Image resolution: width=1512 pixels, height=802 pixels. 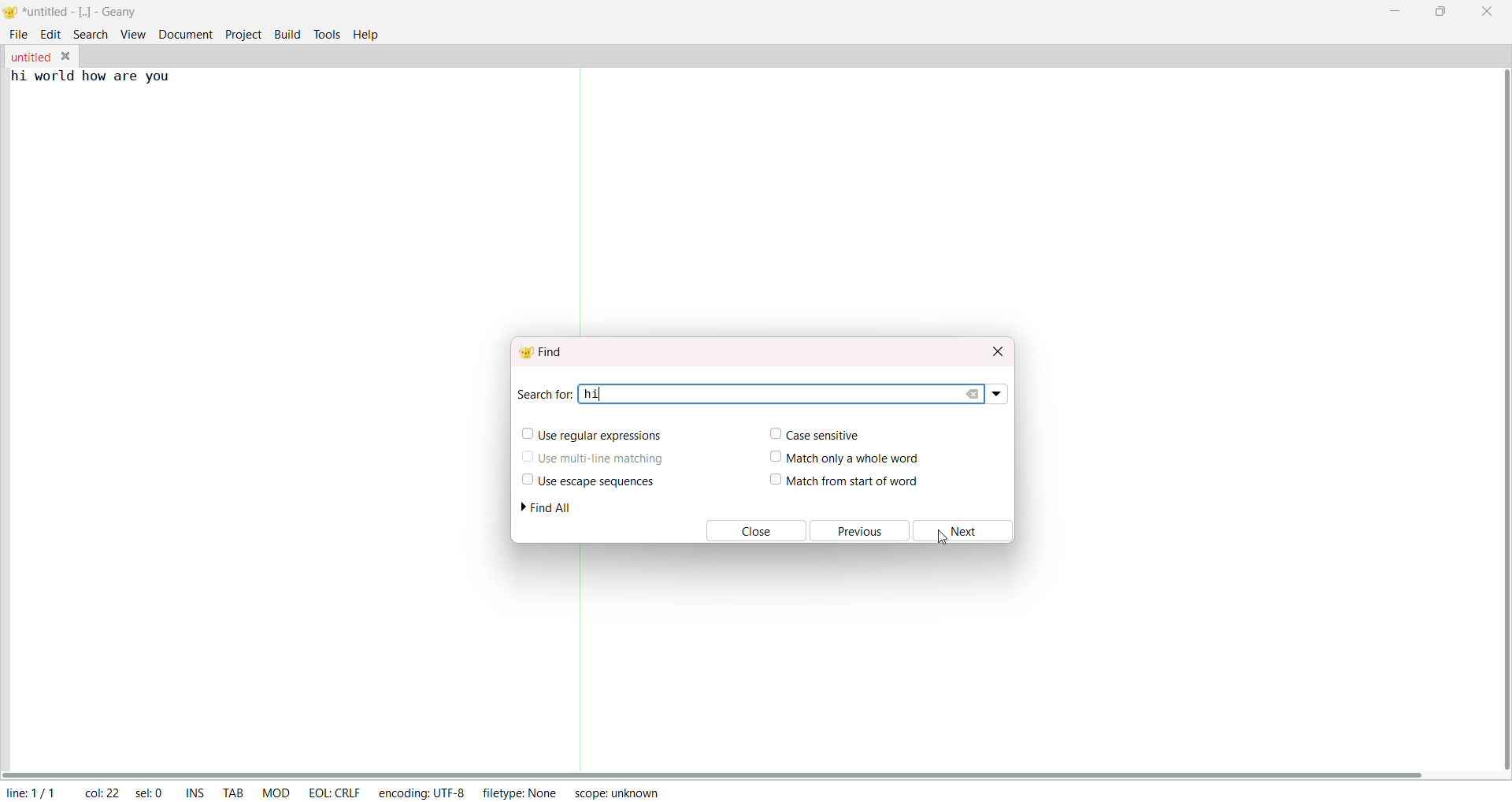 What do you see at coordinates (234, 791) in the screenshot?
I see `tab` at bounding box center [234, 791].